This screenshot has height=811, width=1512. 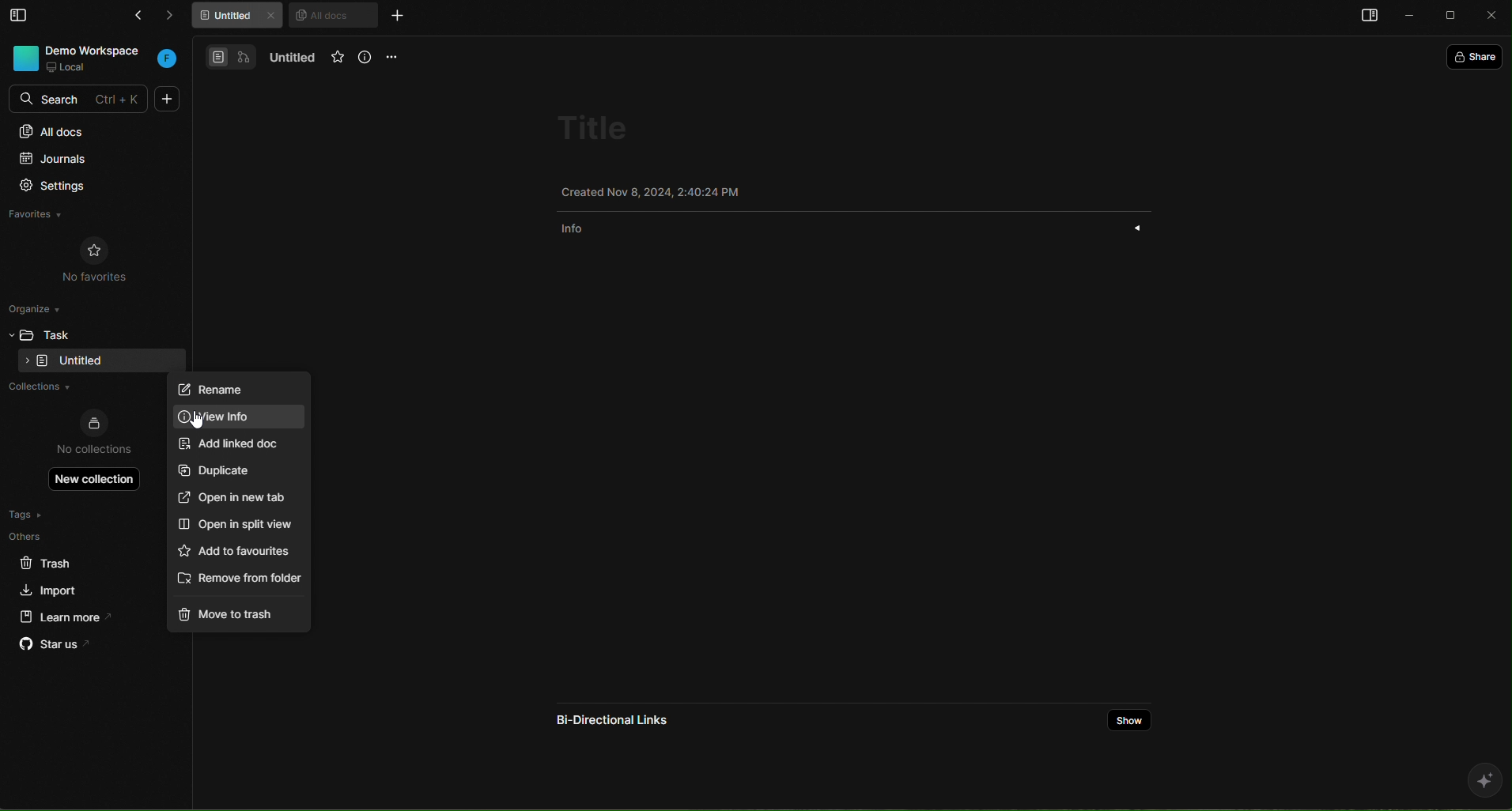 What do you see at coordinates (177, 18) in the screenshot?
I see `forward` at bounding box center [177, 18].